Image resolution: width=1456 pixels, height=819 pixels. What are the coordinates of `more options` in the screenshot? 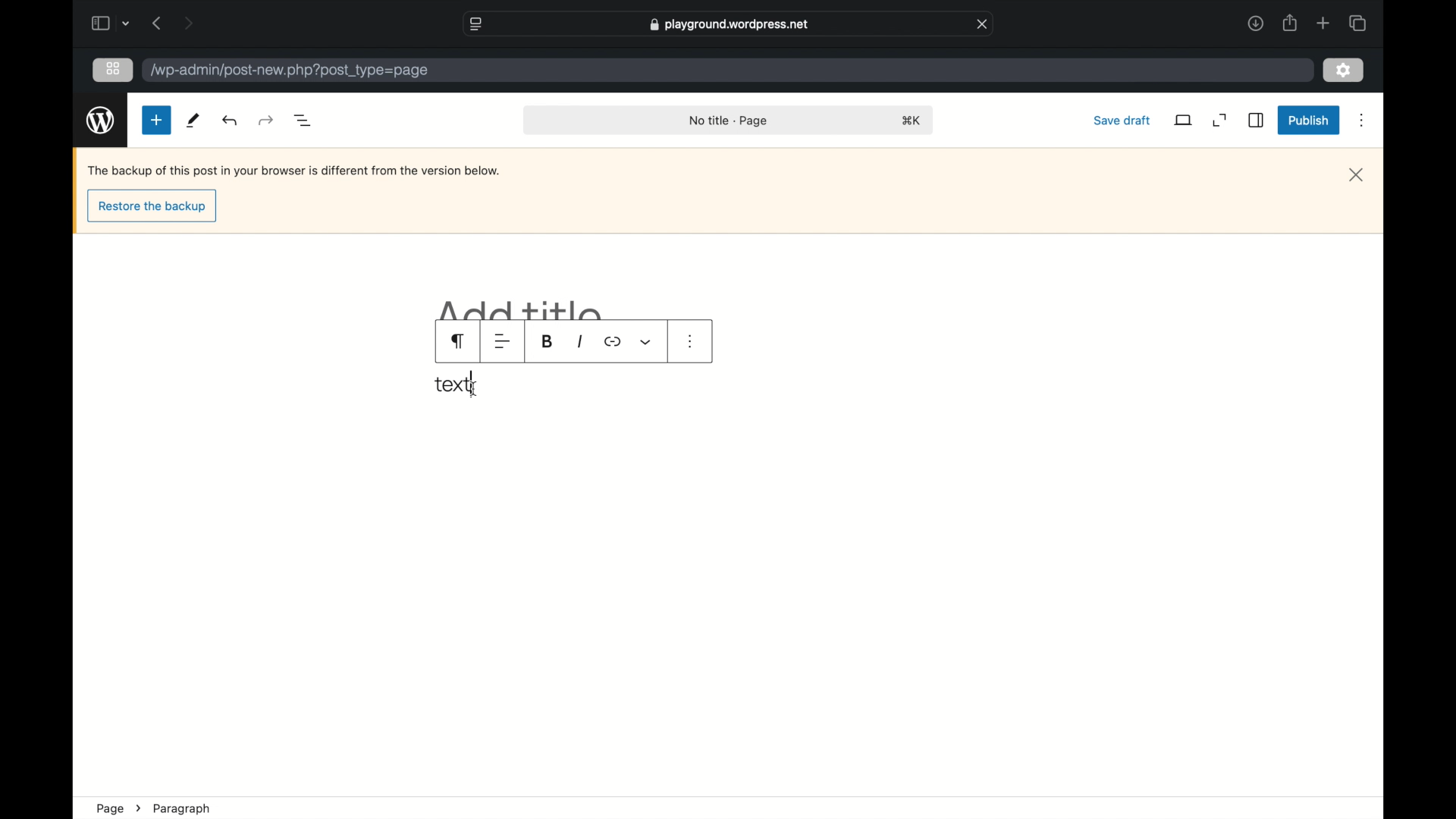 It's located at (691, 341).